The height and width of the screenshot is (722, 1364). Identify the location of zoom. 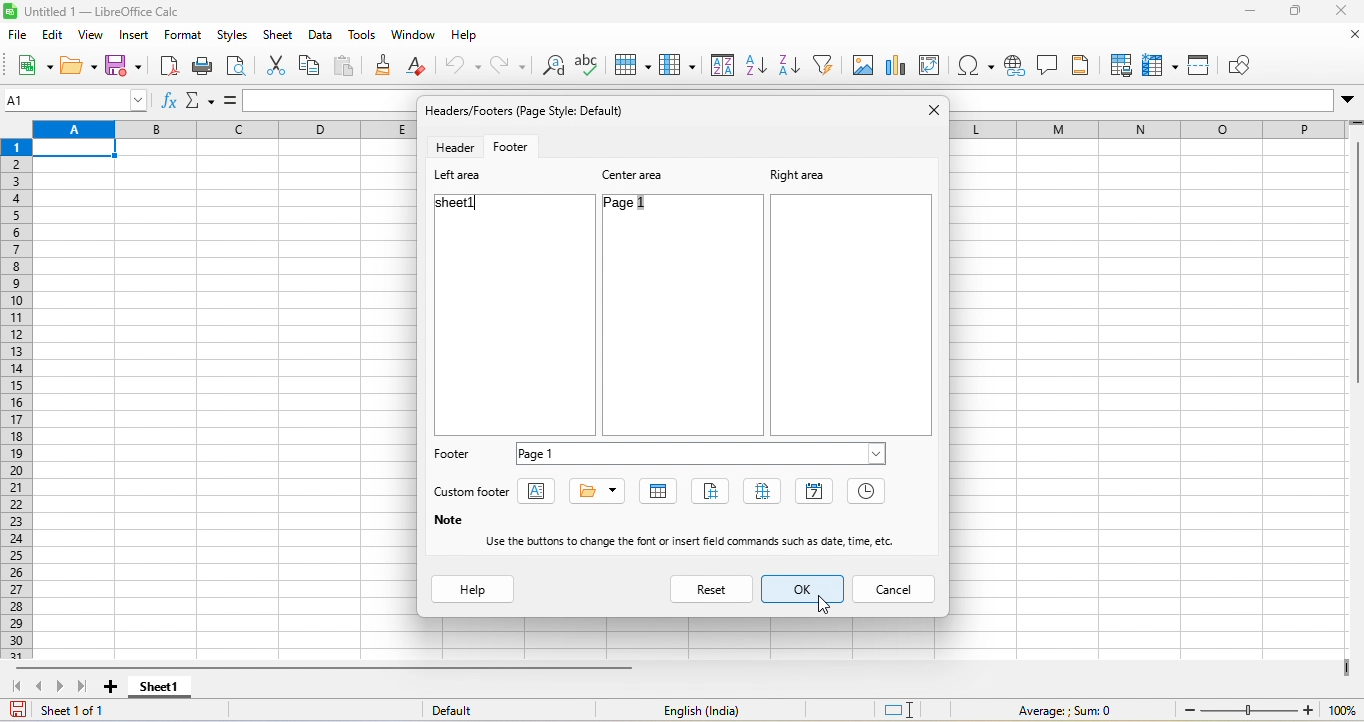
(1264, 711).